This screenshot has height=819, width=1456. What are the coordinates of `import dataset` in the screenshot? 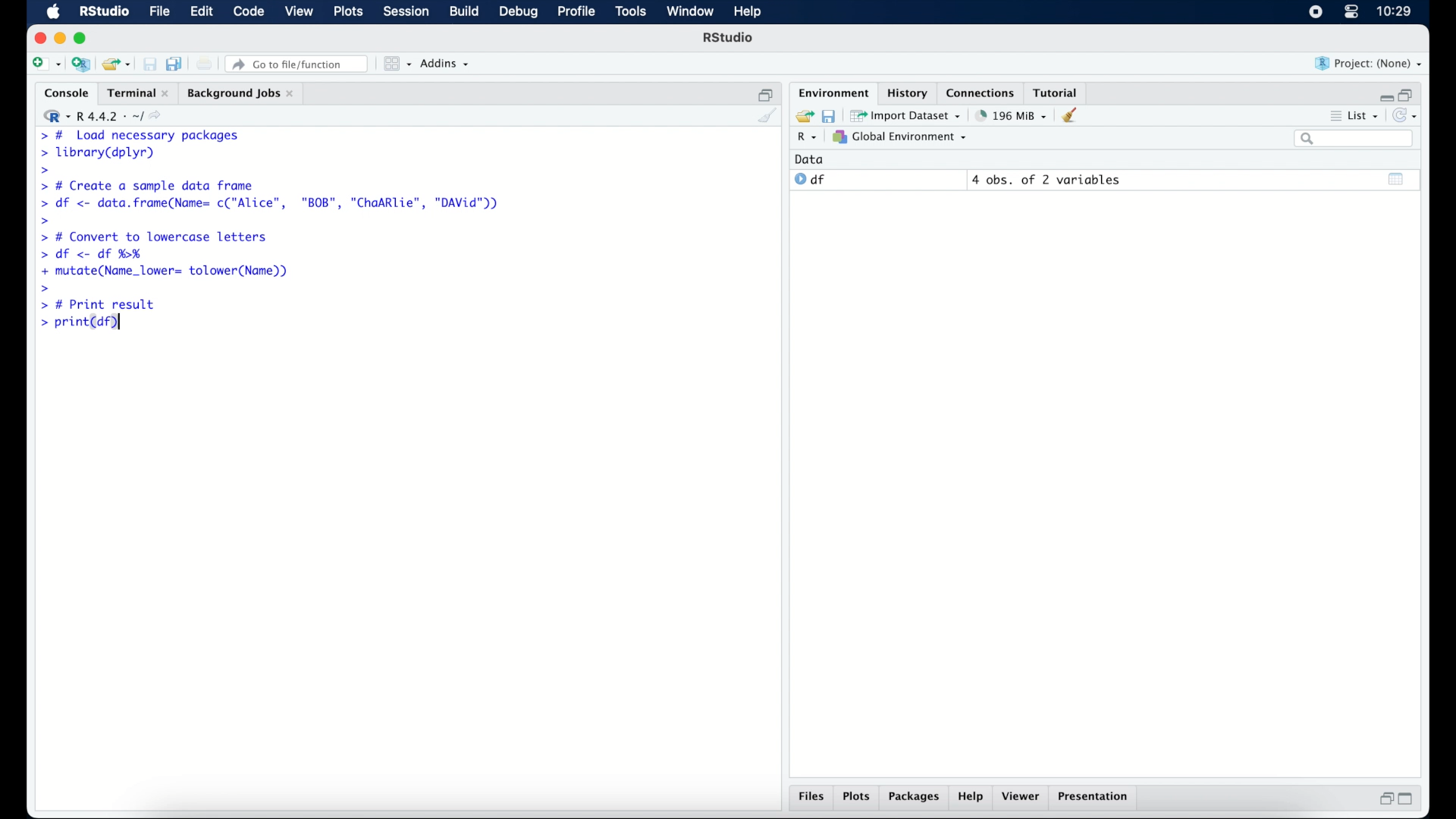 It's located at (907, 115).